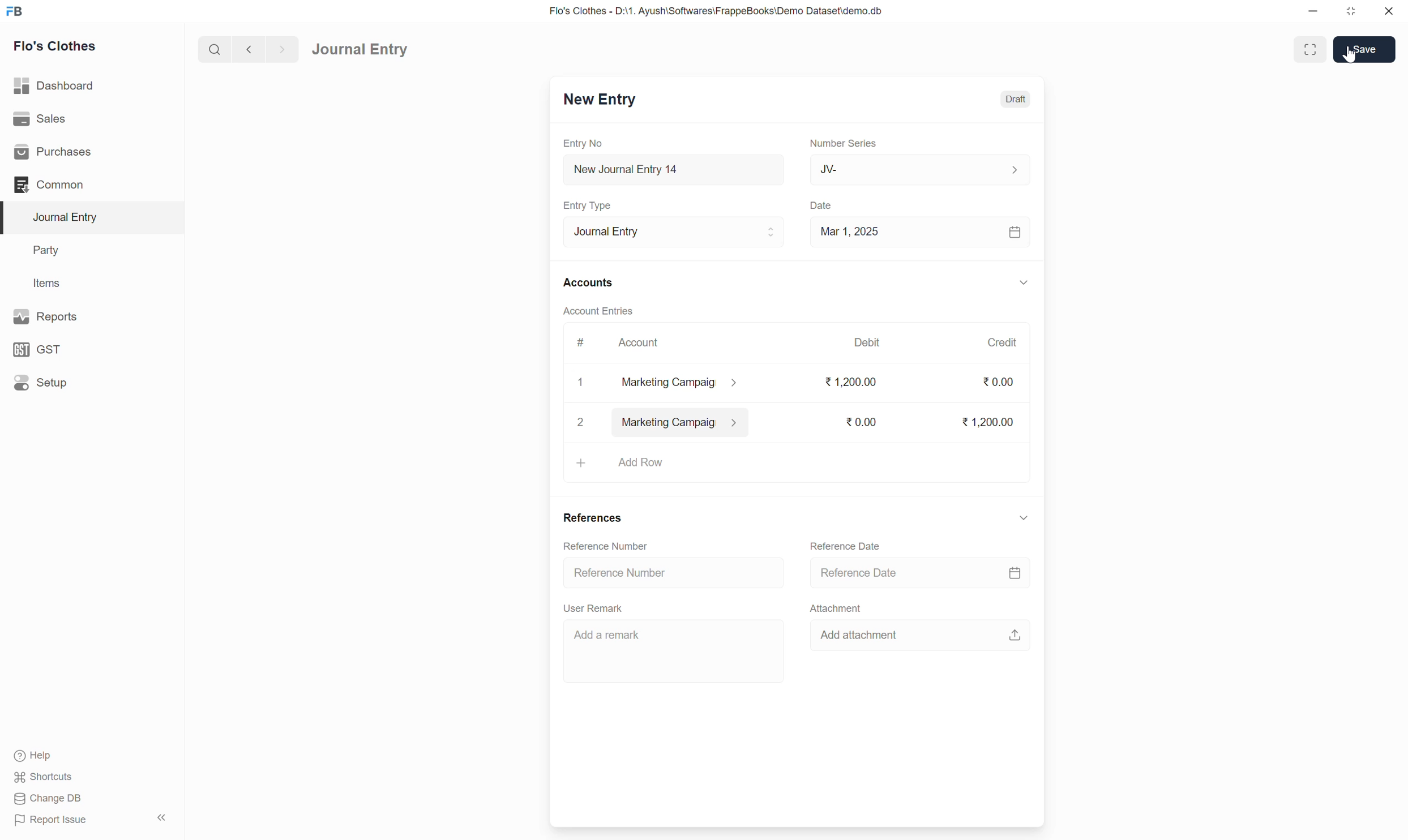 Image resolution: width=1408 pixels, height=840 pixels. What do you see at coordinates (1389, 11) in the screenshot?
I see `close` at bounding box center [1389, 11].